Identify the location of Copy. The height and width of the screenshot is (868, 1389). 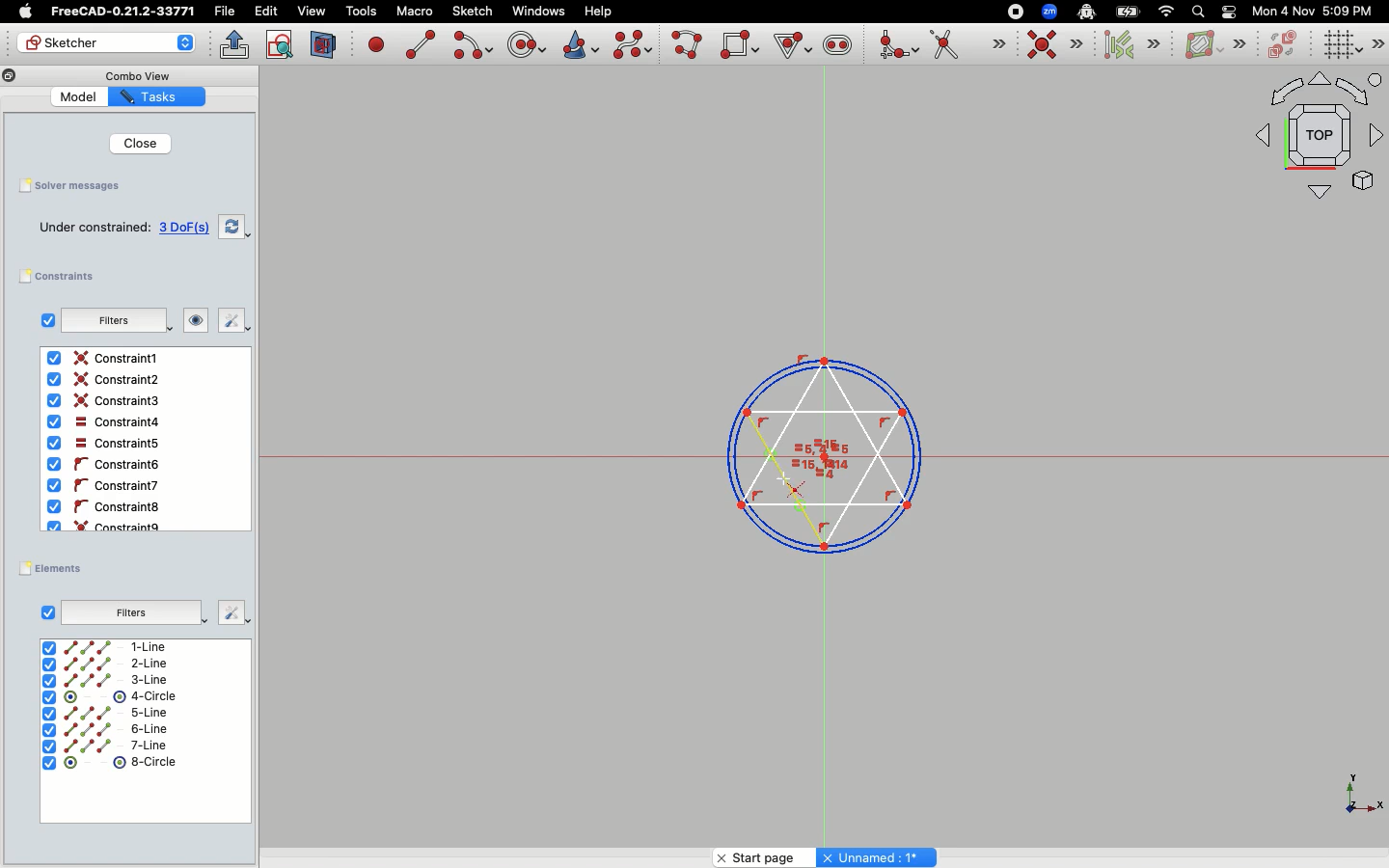
(10, 78).